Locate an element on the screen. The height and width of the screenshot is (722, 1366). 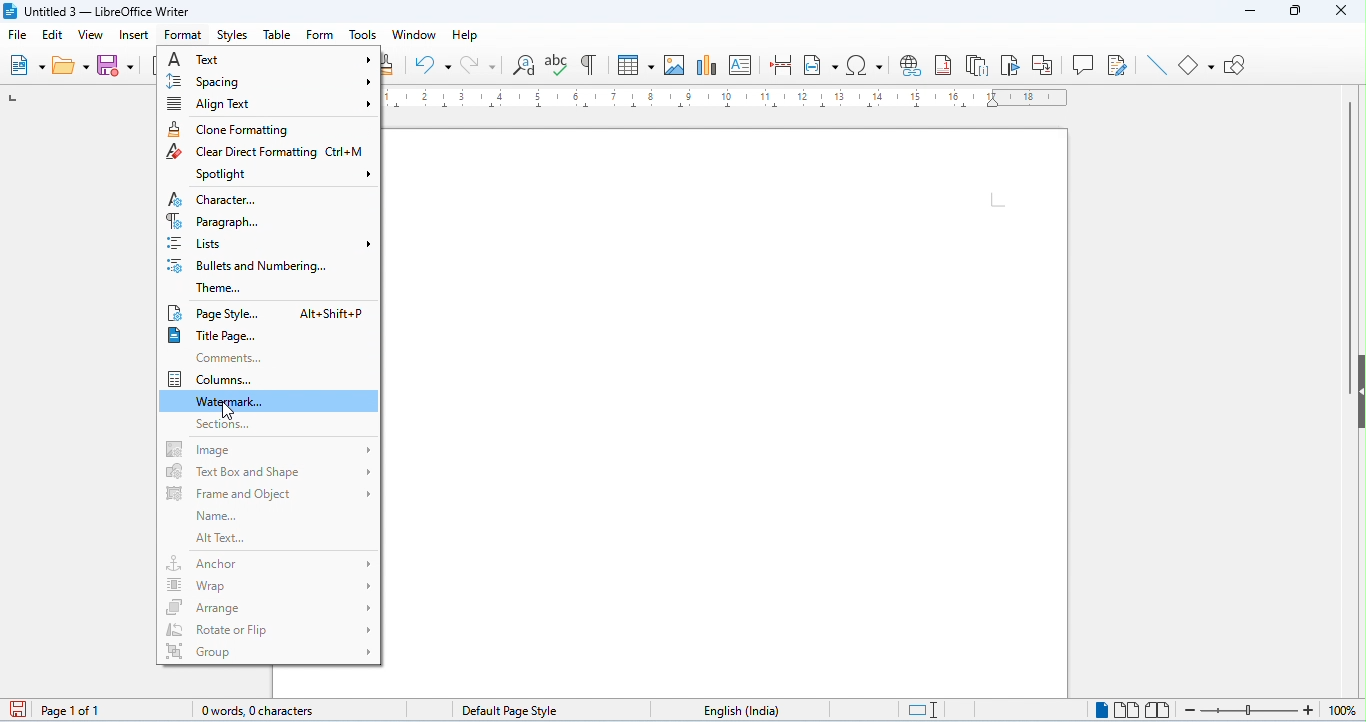
text is located at coordinates (273, 60).